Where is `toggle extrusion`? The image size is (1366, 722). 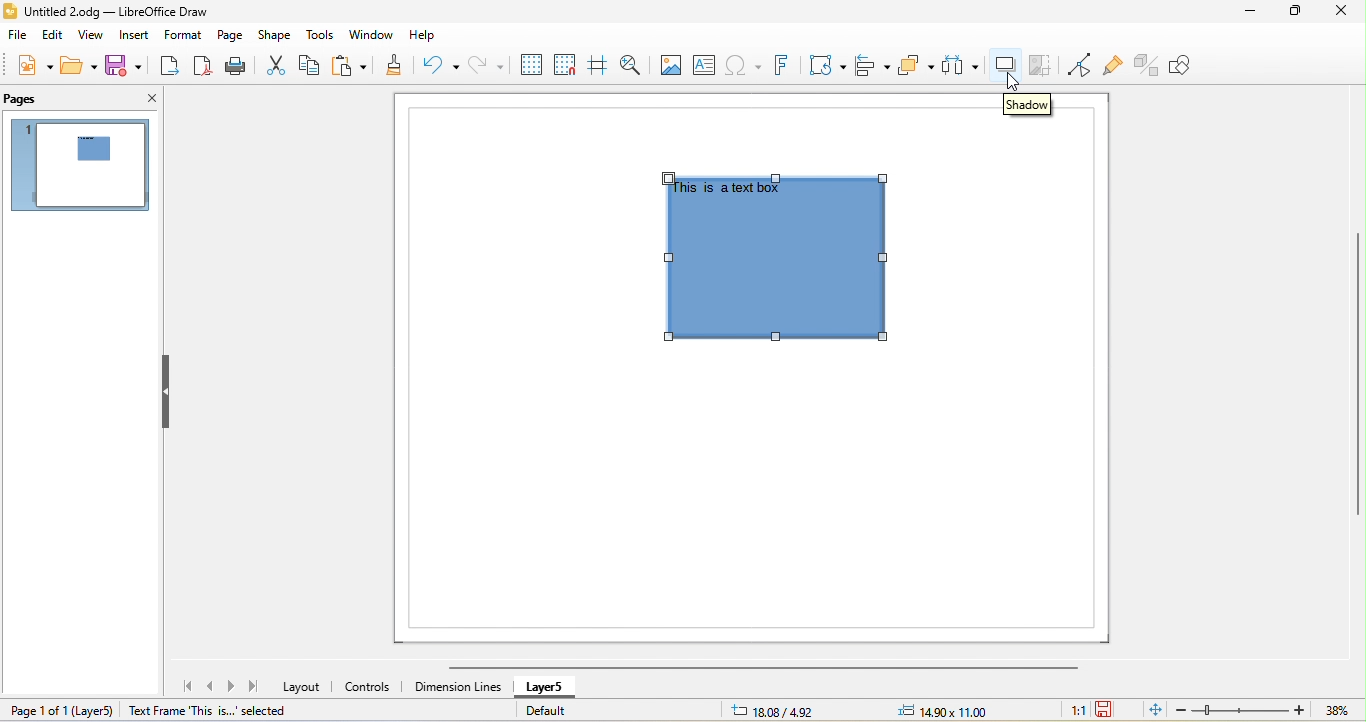
toggle extrusion is located at coordinates (1147, 67).